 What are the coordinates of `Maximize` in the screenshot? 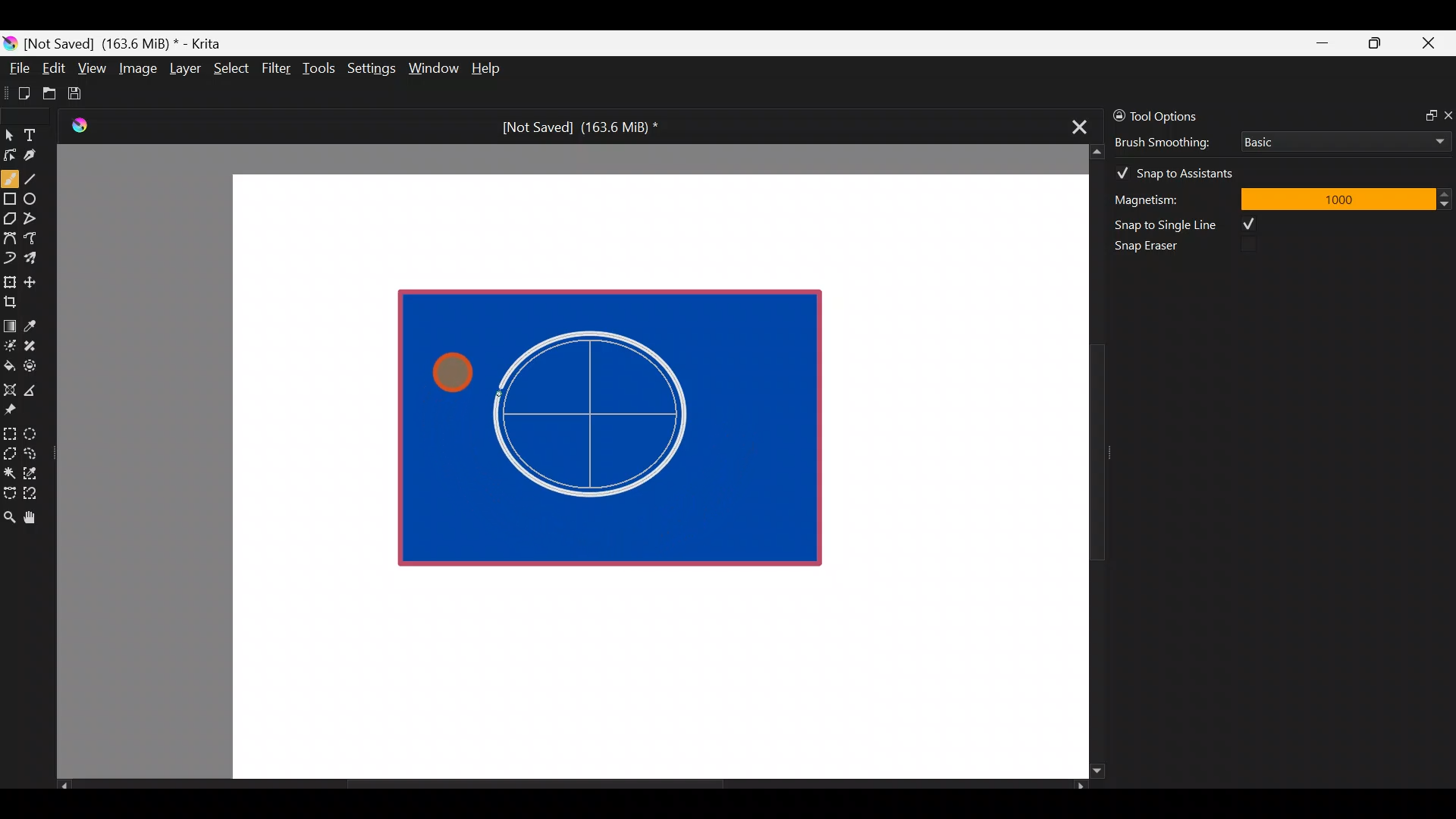 It's located at (1374, 42).